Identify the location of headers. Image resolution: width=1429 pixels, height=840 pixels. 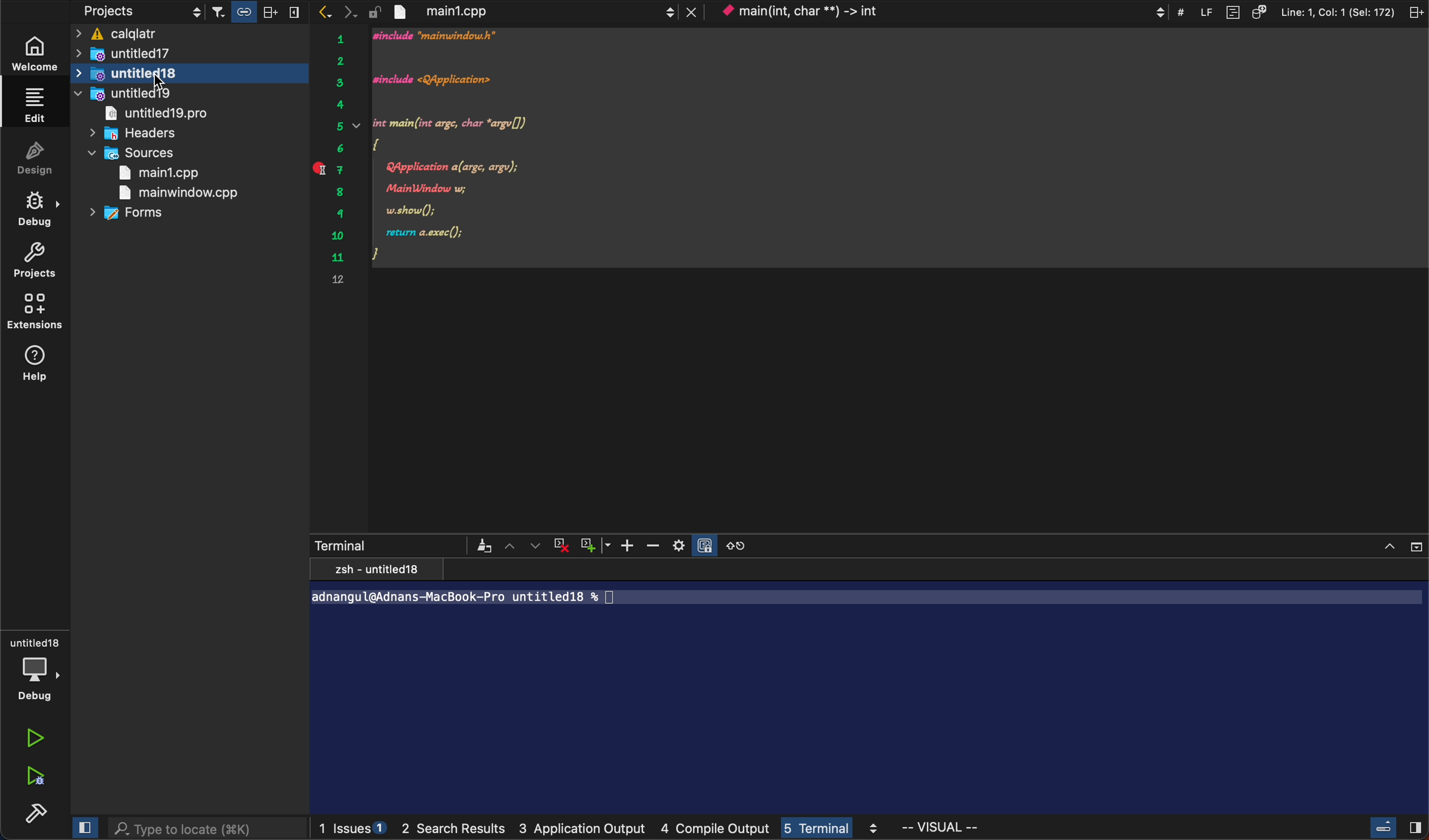
(143, 133).